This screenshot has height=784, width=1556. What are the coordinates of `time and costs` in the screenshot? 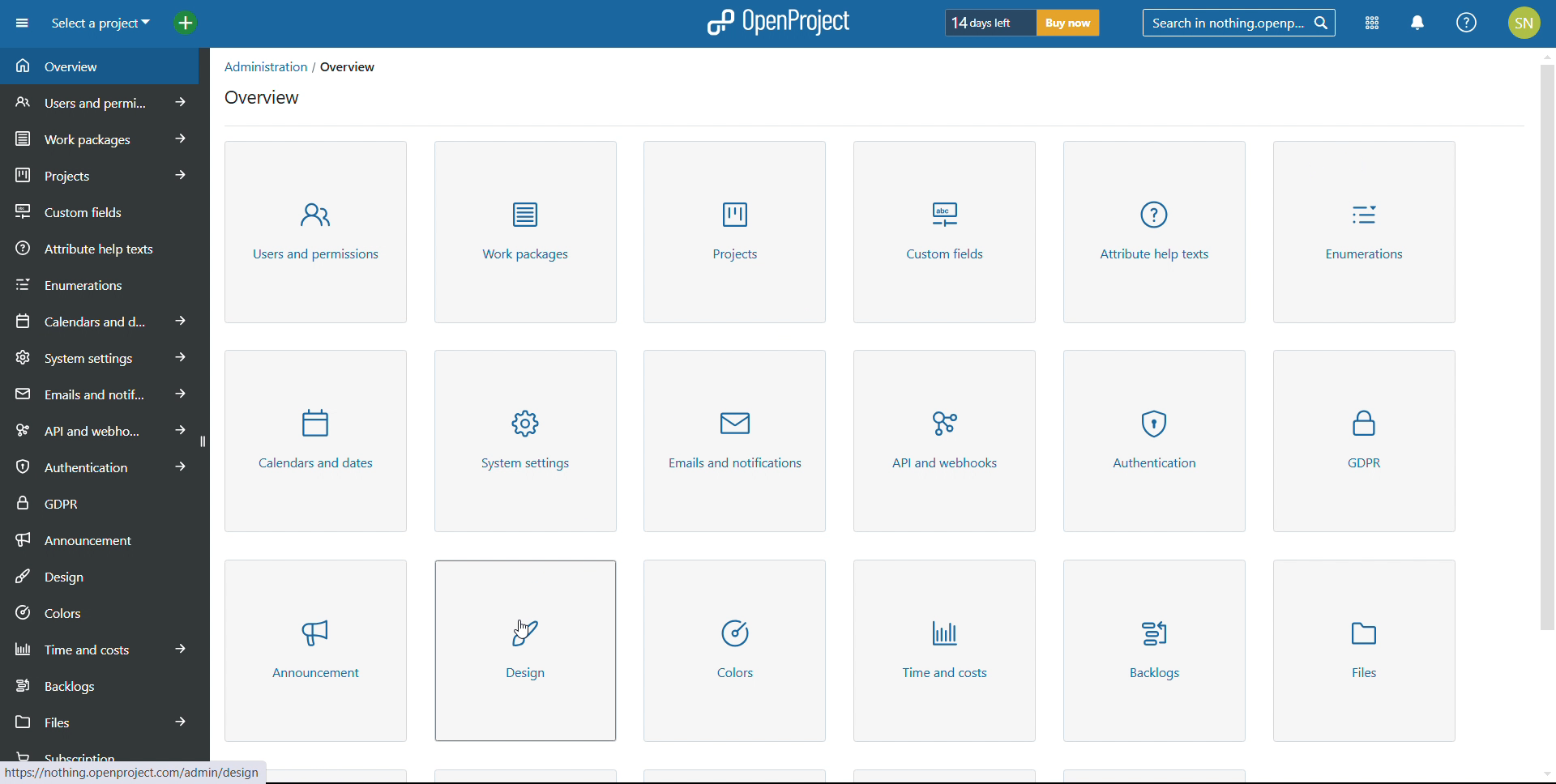 It's located at (943, 651).